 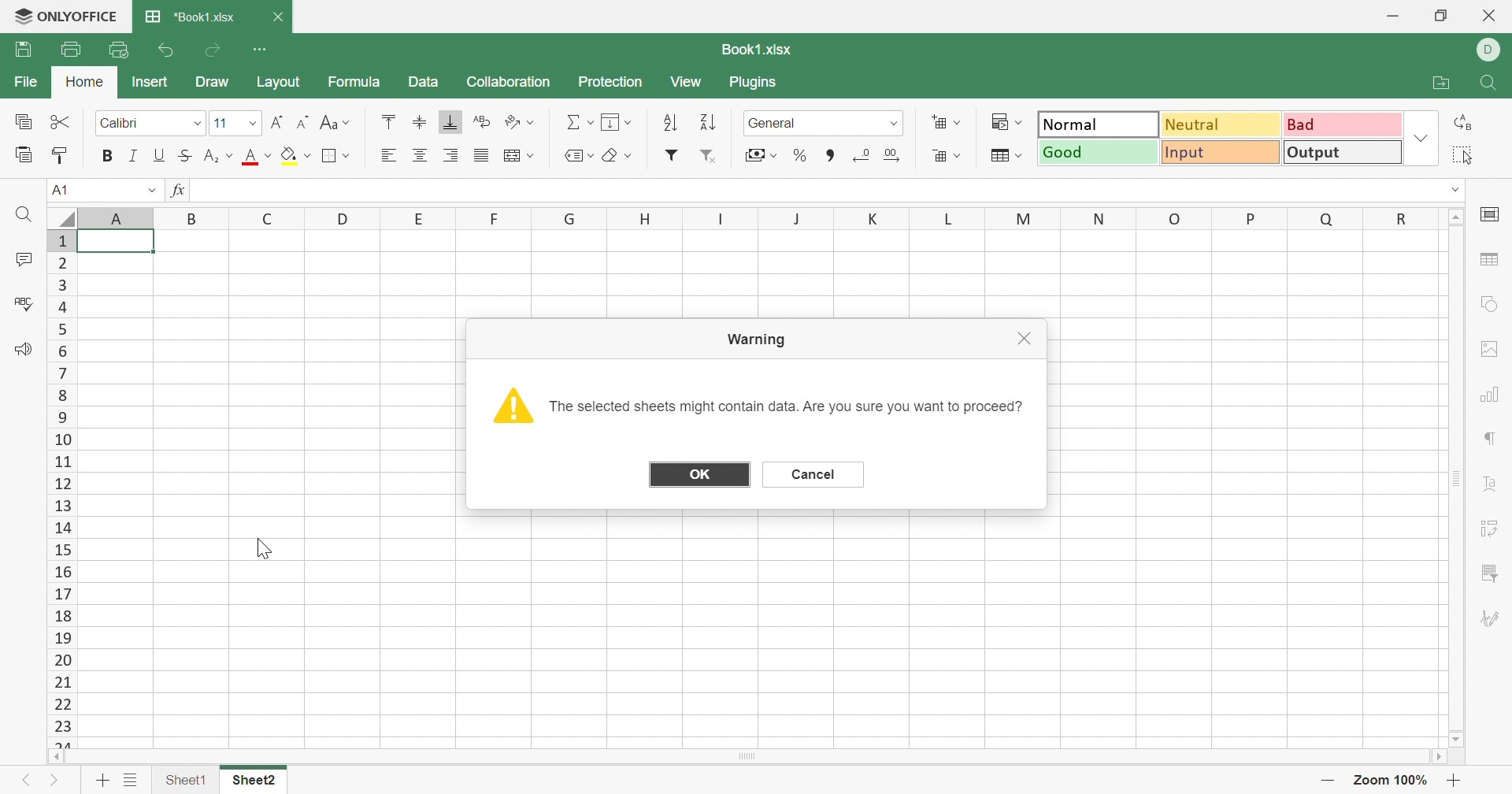 What do you see at coordinates (591, 123) in the screenshot?
I see `Drop Down` at bounding box center [591, 123].